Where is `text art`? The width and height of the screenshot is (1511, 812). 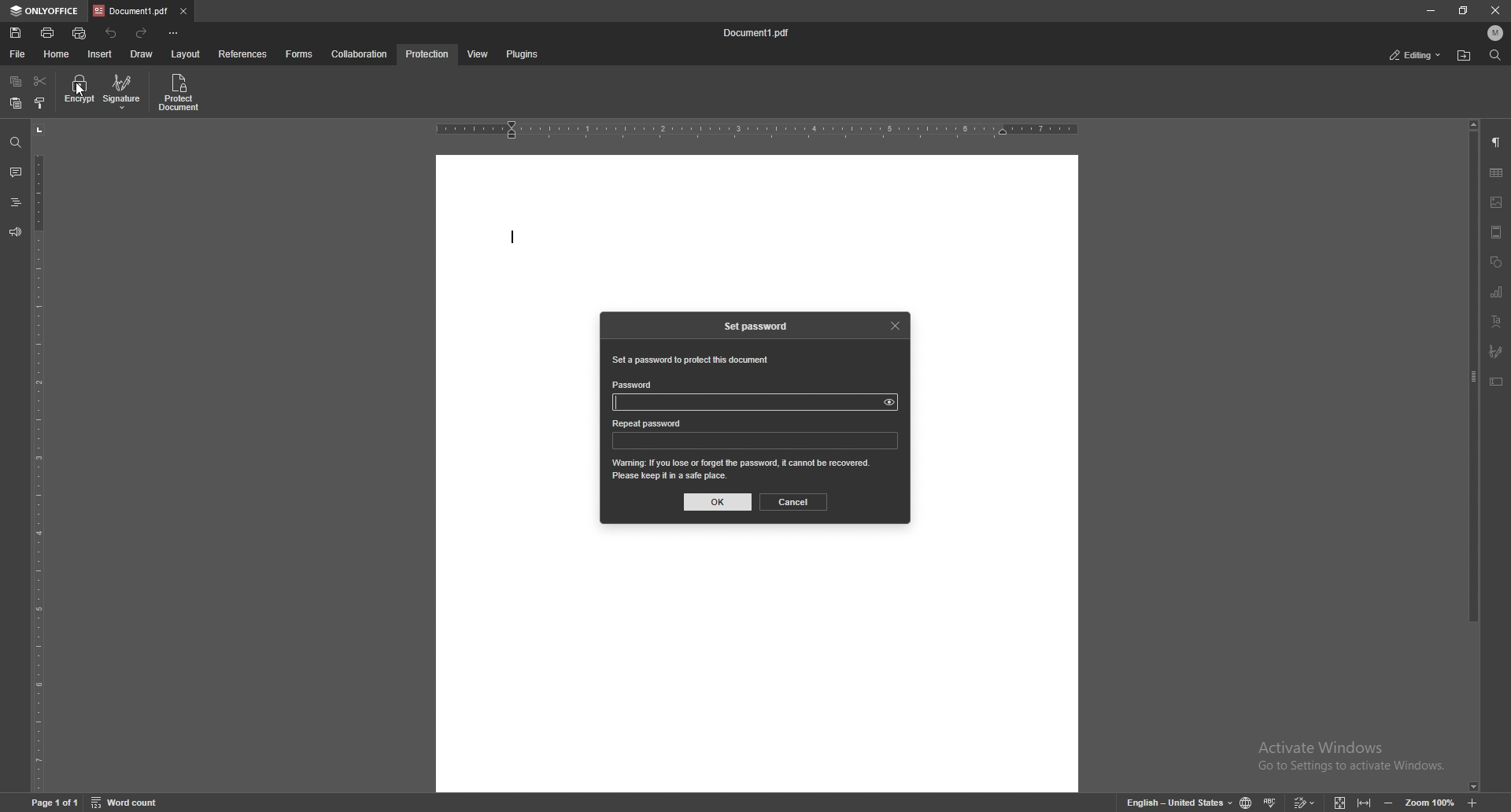 text art is located at coordinates (1498, 321).